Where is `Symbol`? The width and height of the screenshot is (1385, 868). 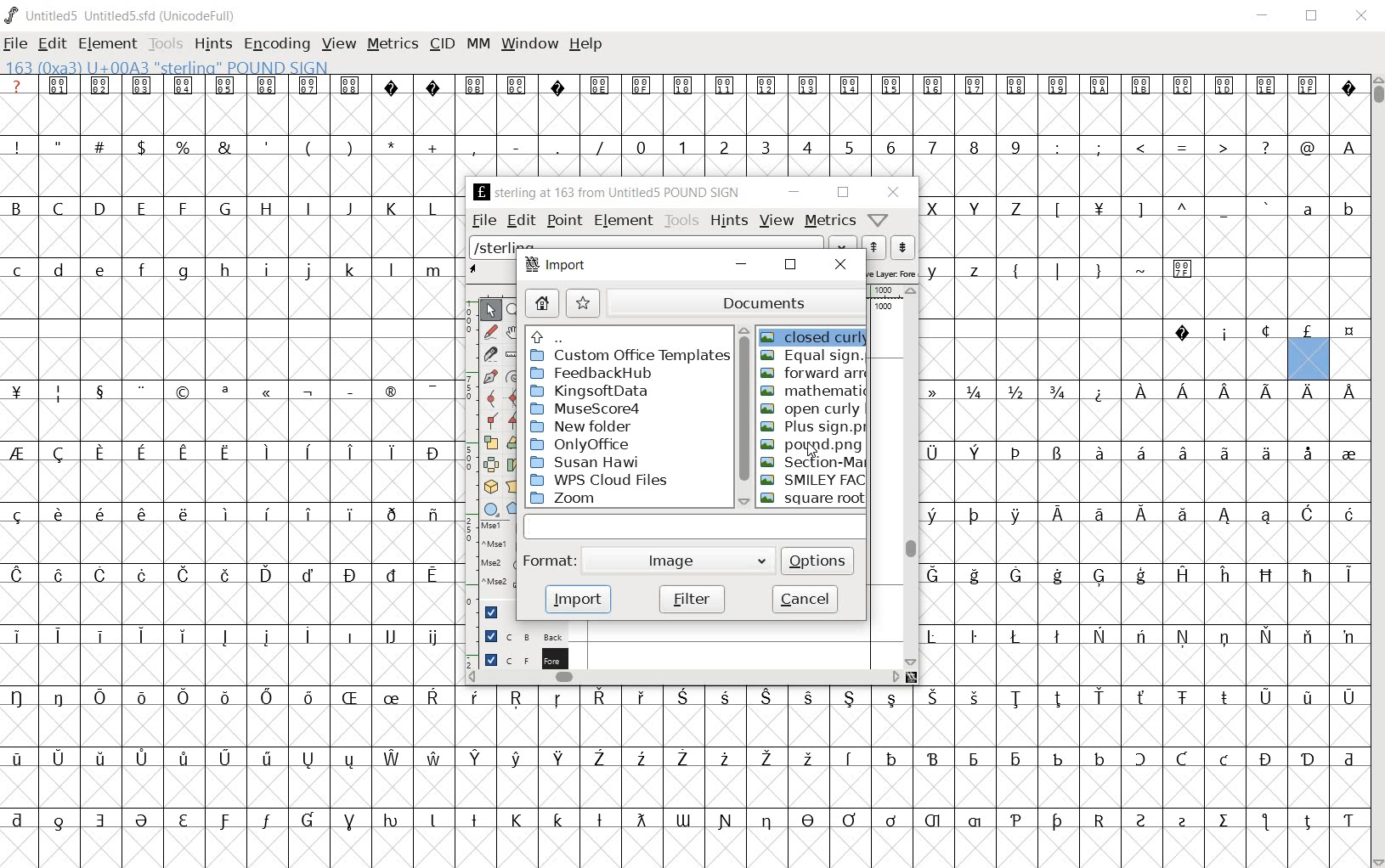 Symbol is located at coordinates (974, 576).